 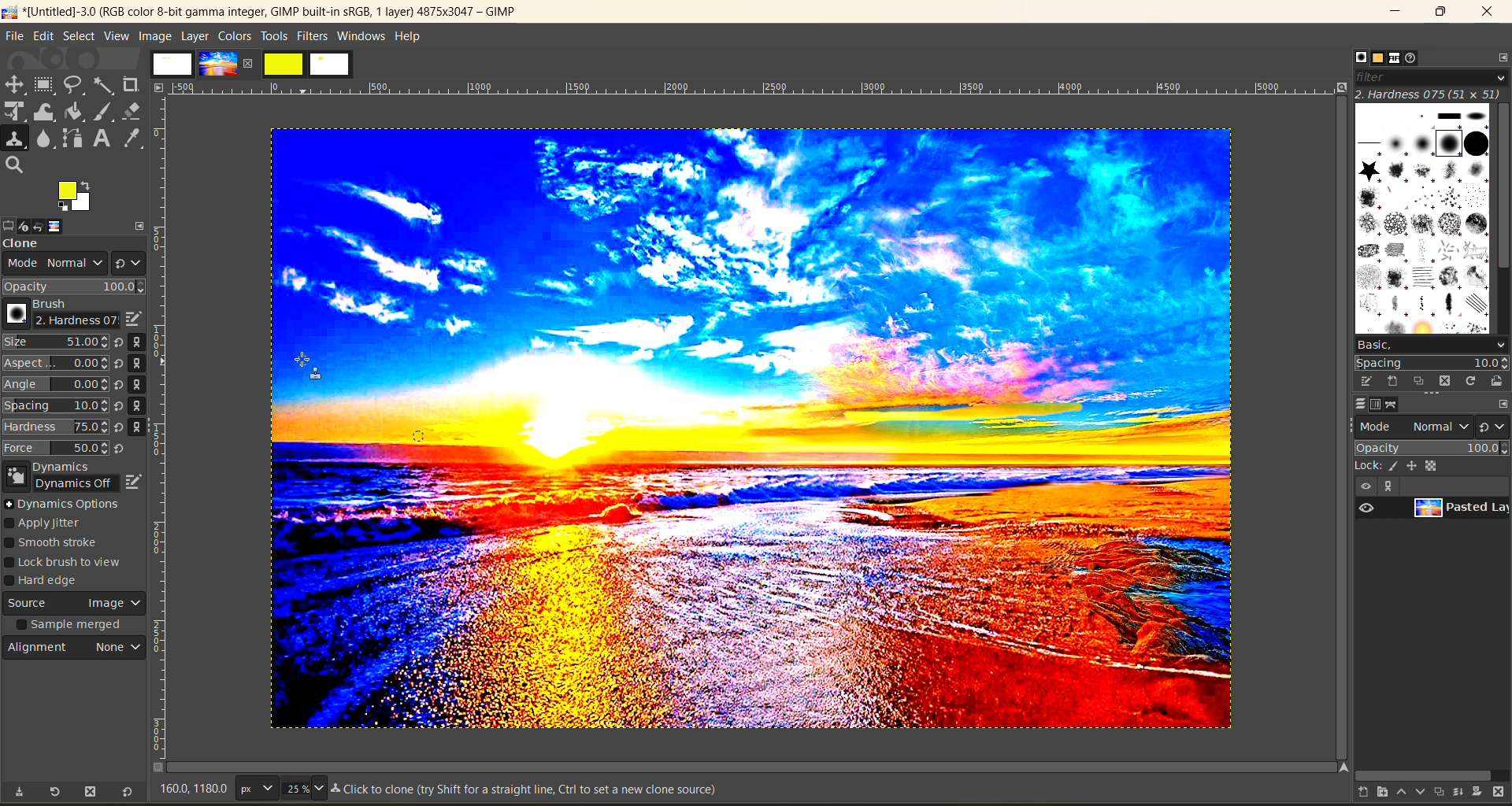 I want to click on document history, so click(x=1417, y=58).